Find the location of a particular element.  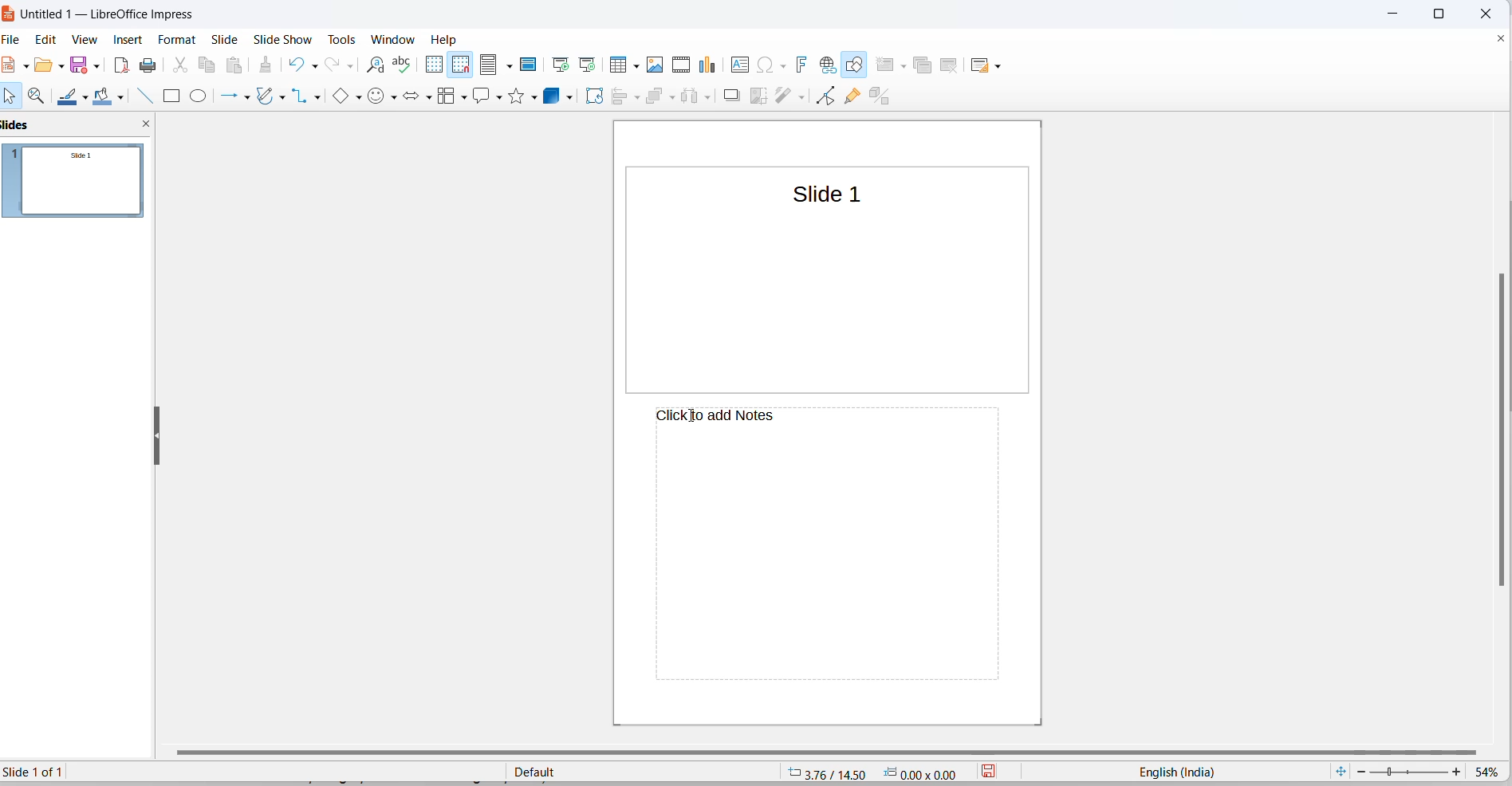

filters options is located at coordinates (800, 98).